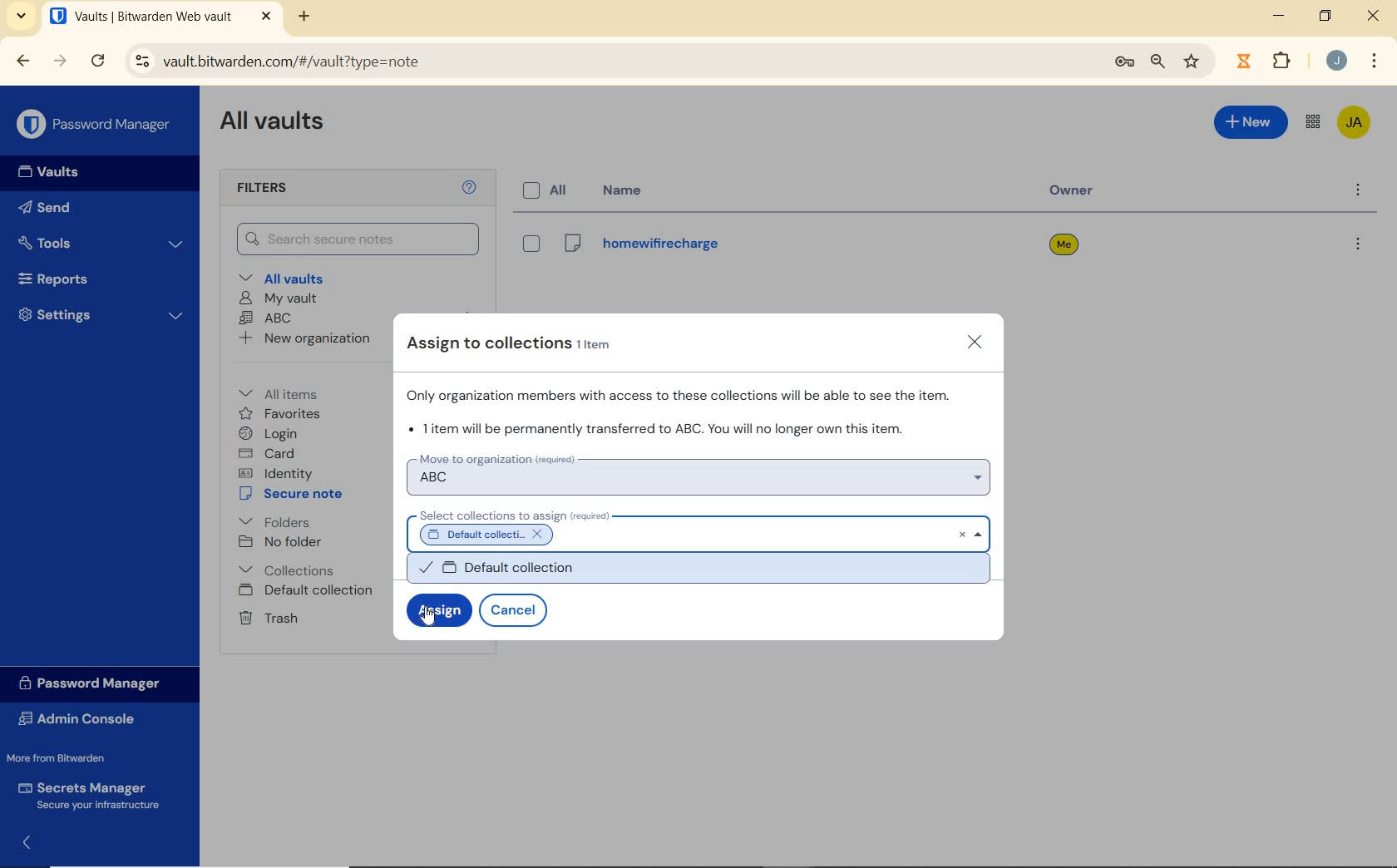  What do you see at coordinates (99, 314) in the screenshot?
I see `Settings` at bounding box center [99, 314].